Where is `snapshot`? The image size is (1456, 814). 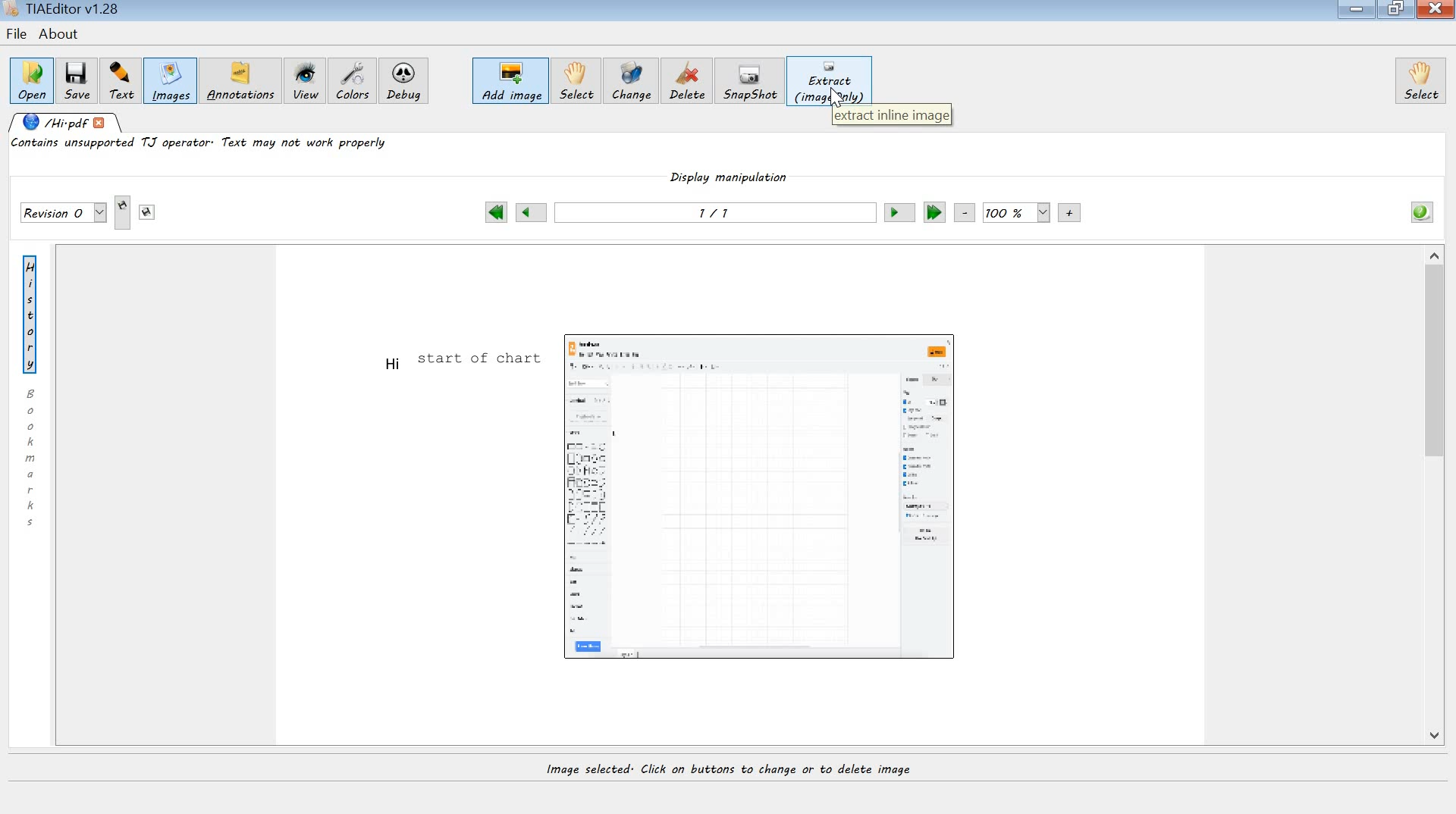
snapshot is located at coordinates (752, 81).